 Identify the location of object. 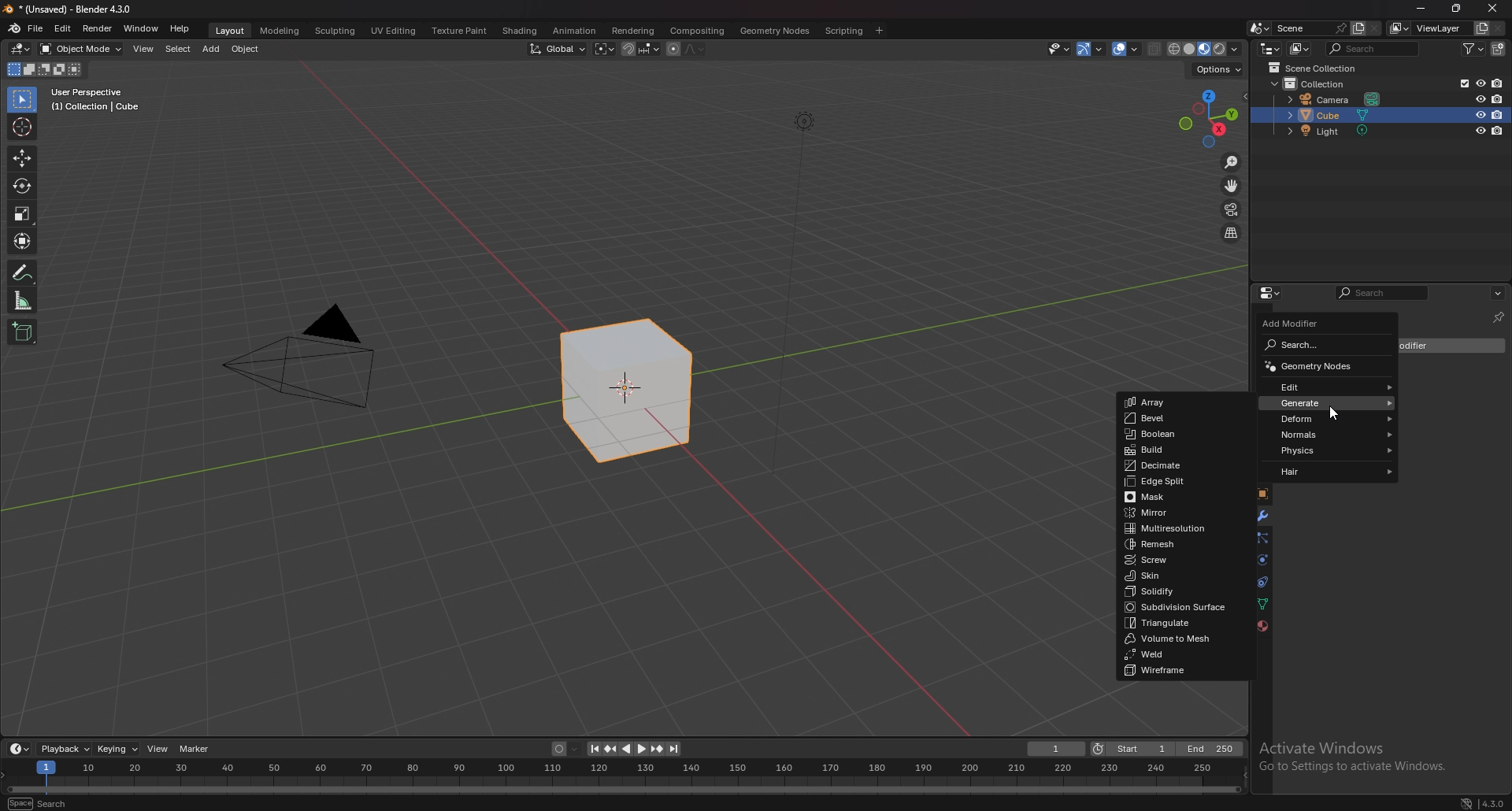
(246, 49).